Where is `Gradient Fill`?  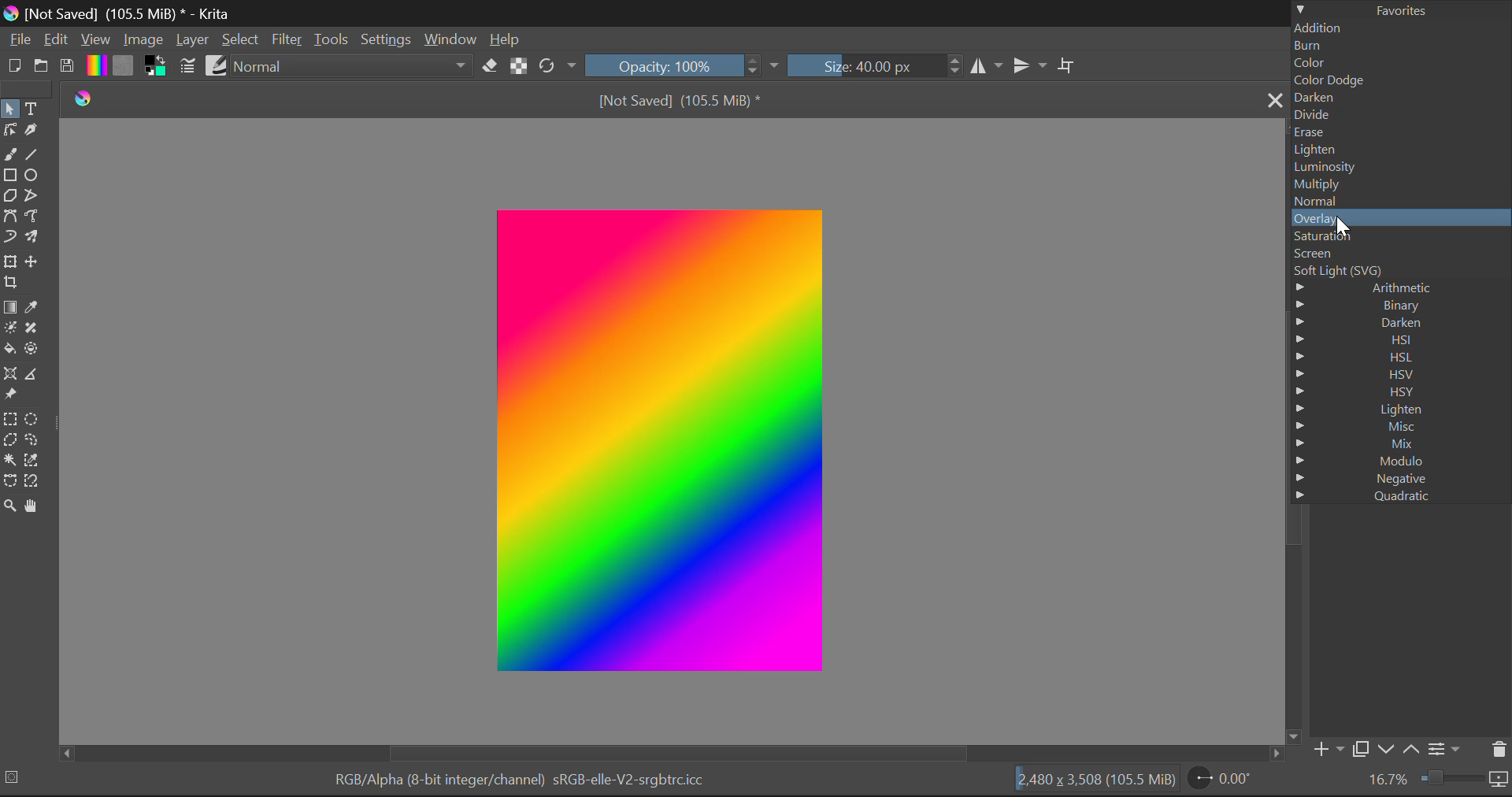 Gradient Fill is located at coordinates (11, 307).